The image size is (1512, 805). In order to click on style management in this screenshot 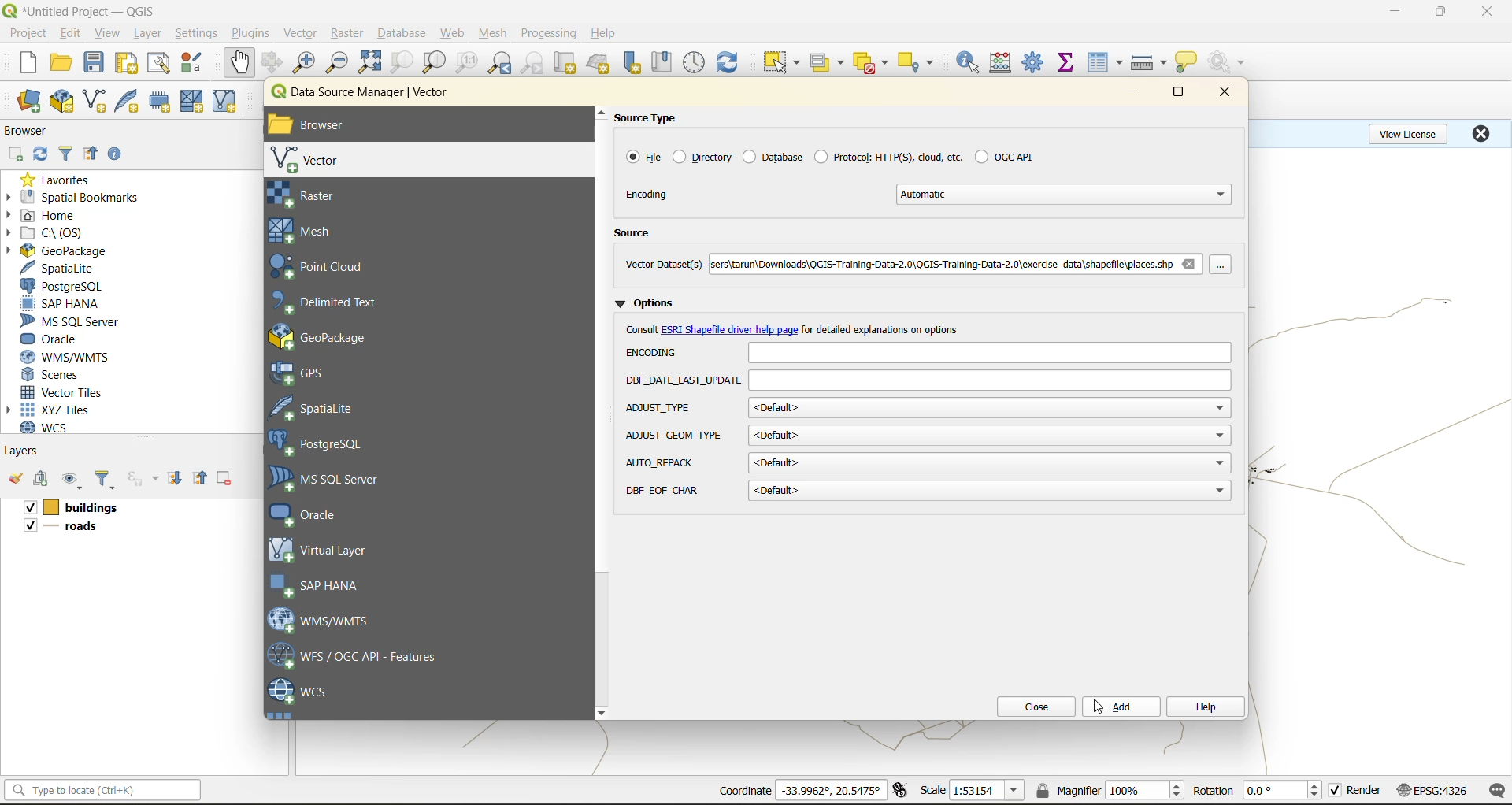, I will do `click(196, 62)`.